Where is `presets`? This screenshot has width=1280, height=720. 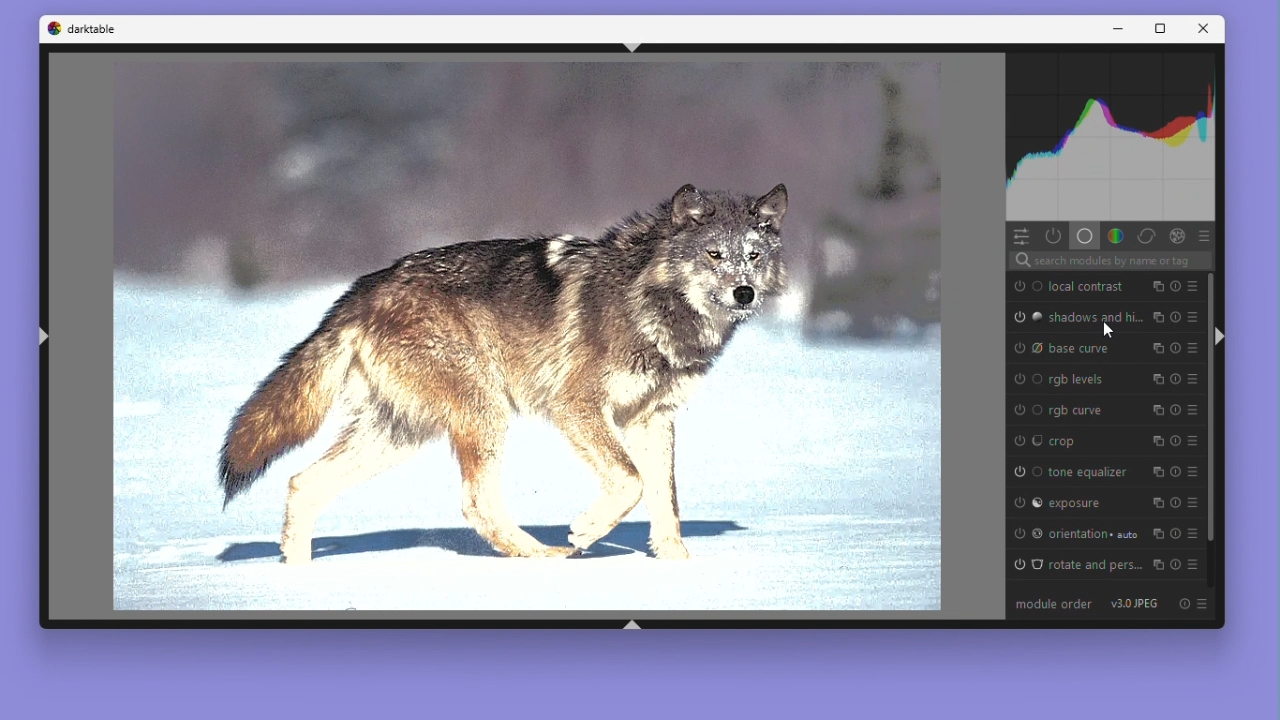 presets is located at coordinates (1193, 471).